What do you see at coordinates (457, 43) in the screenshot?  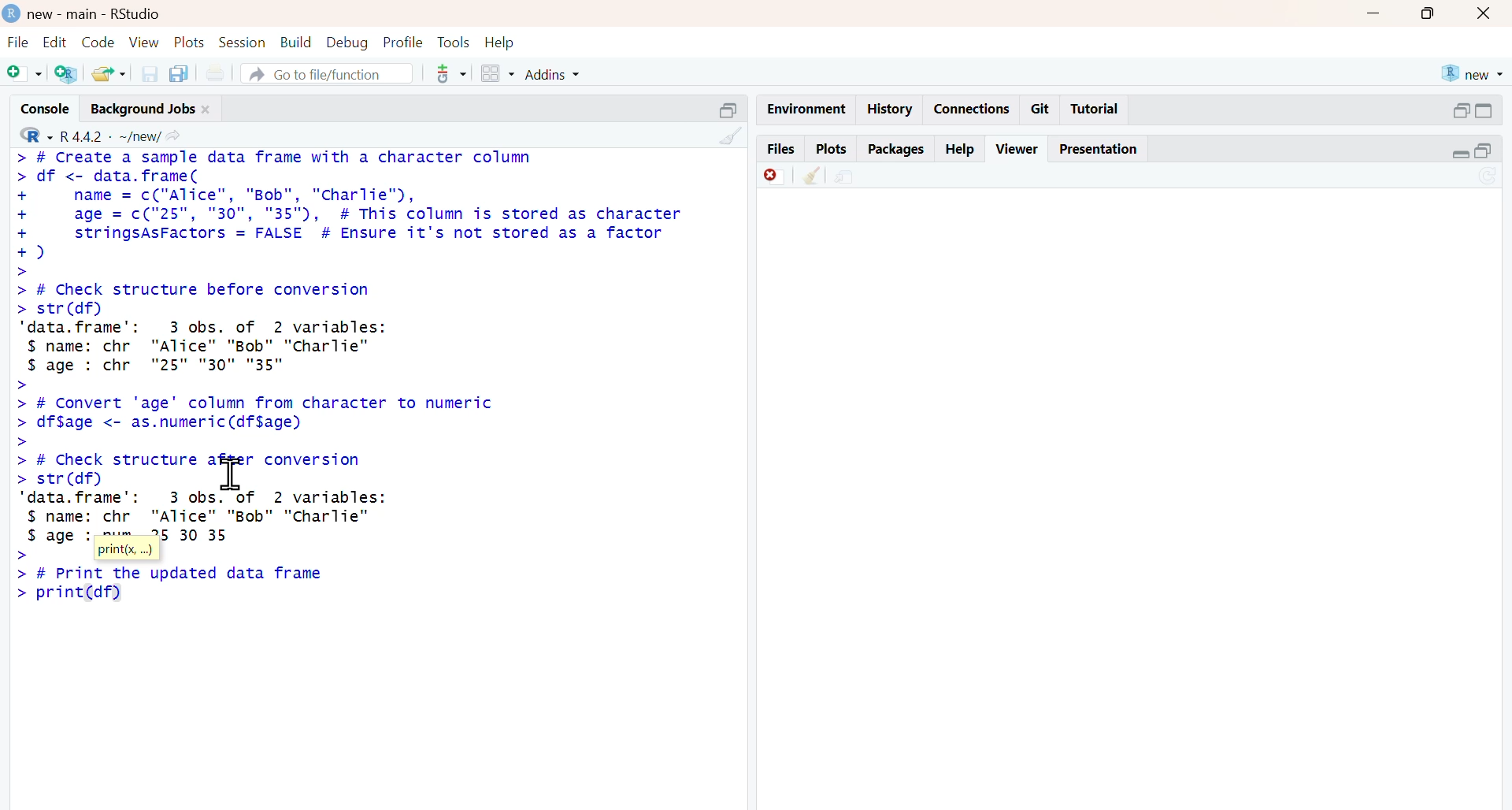 I see `tools` at bounding box center [457, 43].